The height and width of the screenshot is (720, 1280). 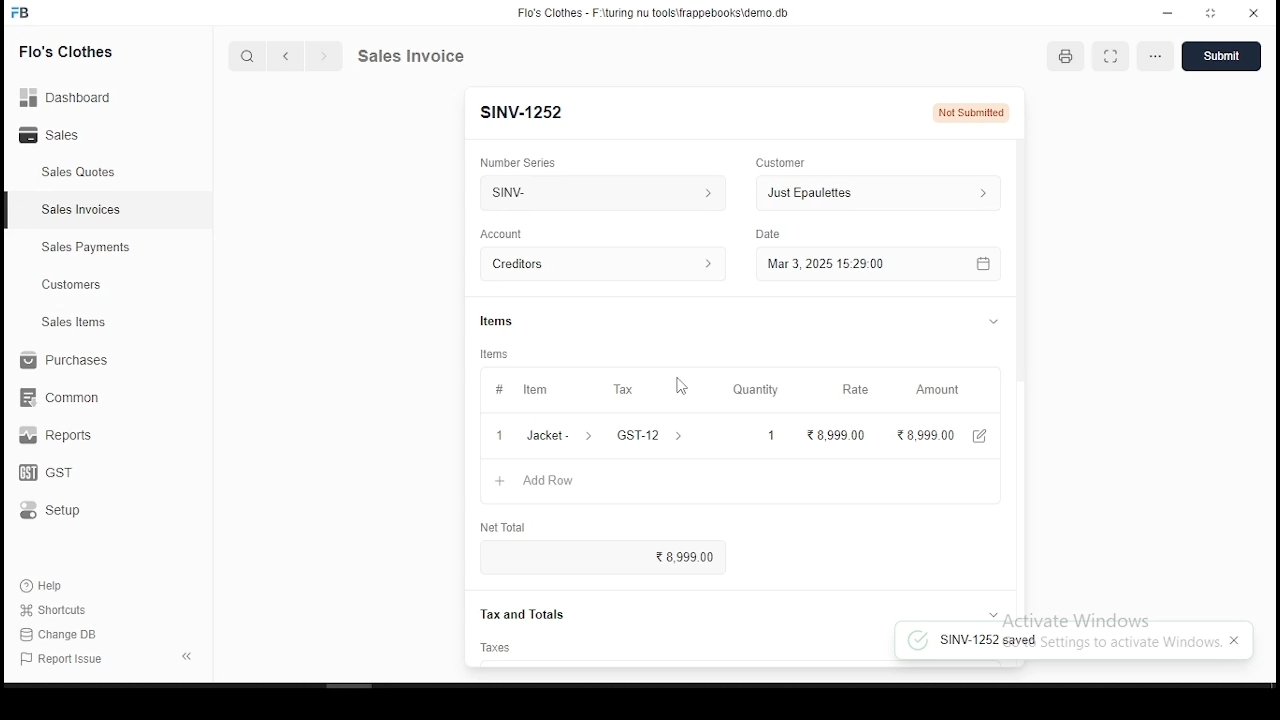 What do you see at coordinates (992, 265) in the screenshot?
I see `calendar` at bounding box center [992, 265].